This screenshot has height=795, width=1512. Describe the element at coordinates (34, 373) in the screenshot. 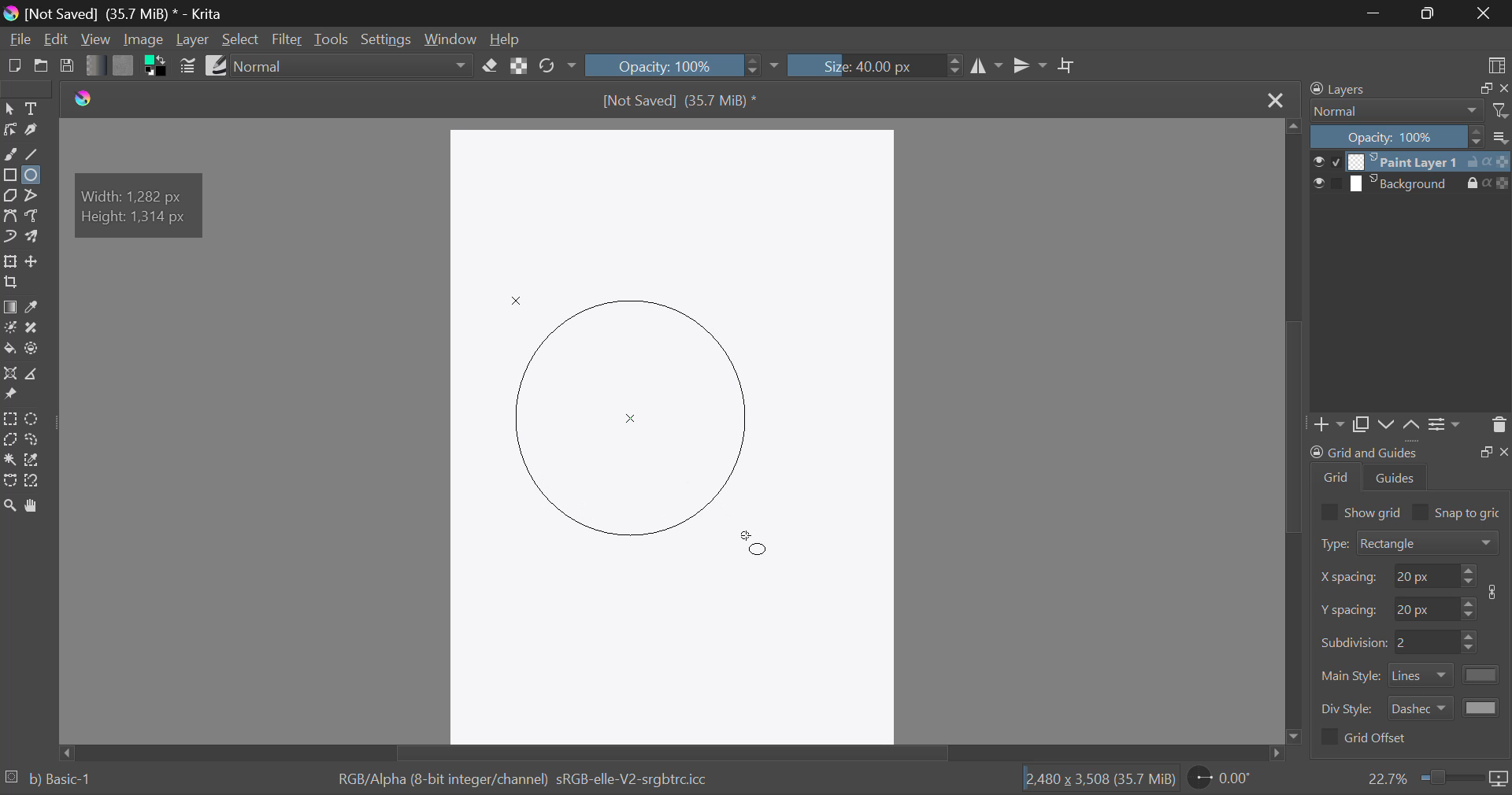

I see `Measurements` at that location.